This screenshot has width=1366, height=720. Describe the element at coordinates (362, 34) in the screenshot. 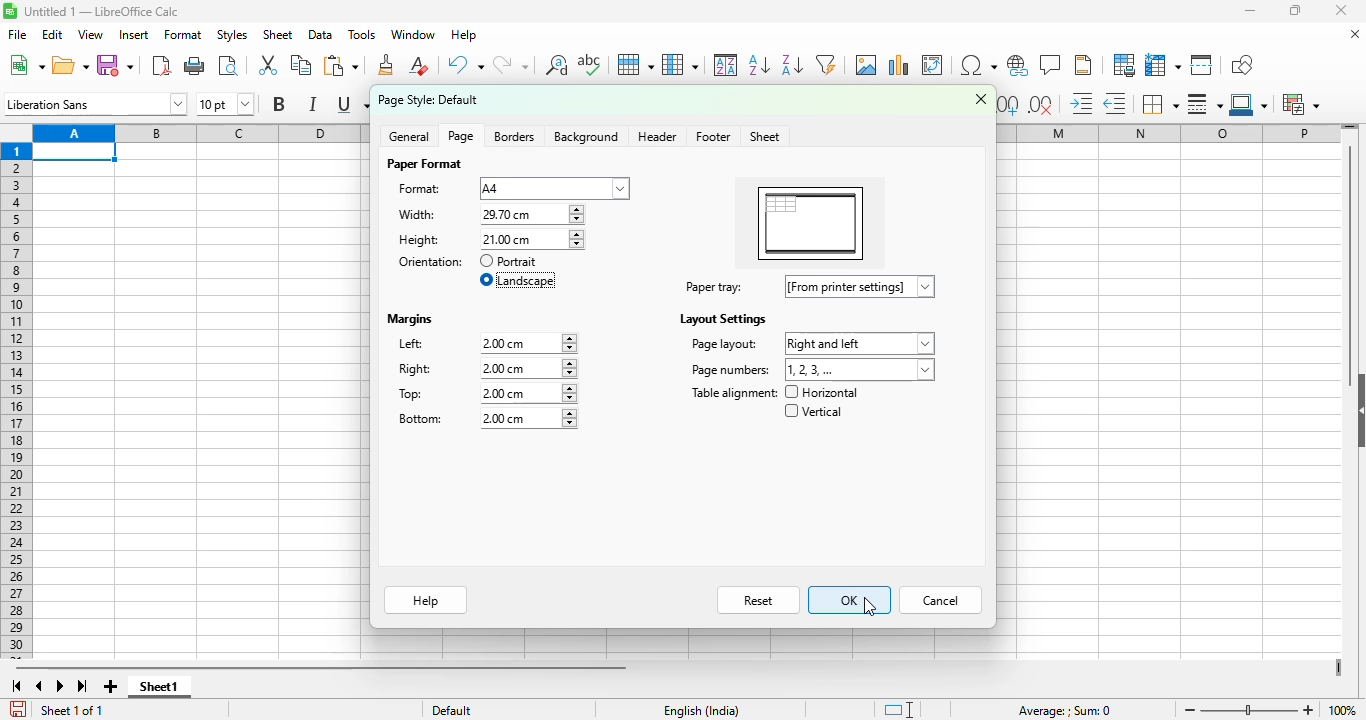

I see `tools` at that location.